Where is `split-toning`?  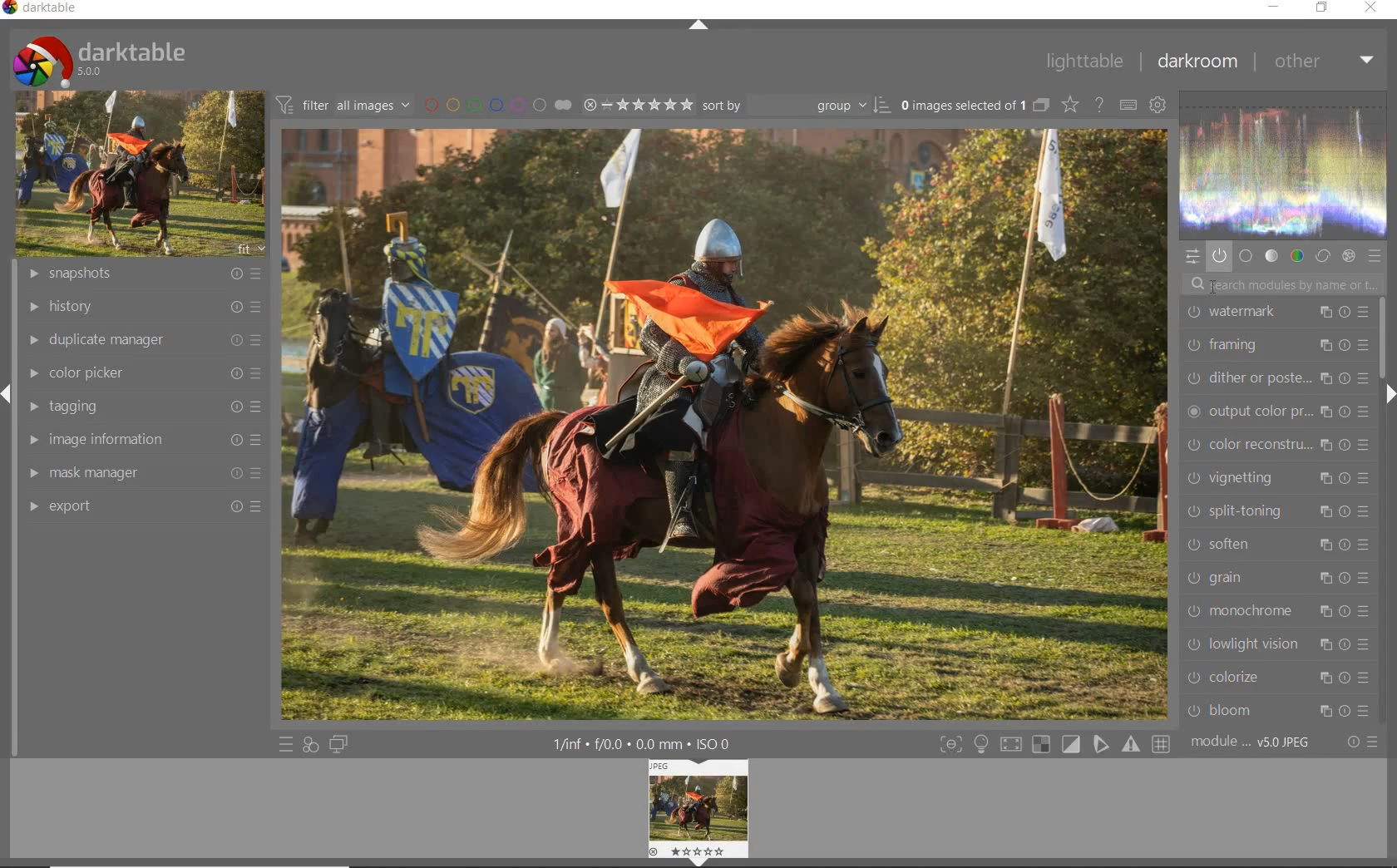 split-toning is located at coordinates (1278, 514).